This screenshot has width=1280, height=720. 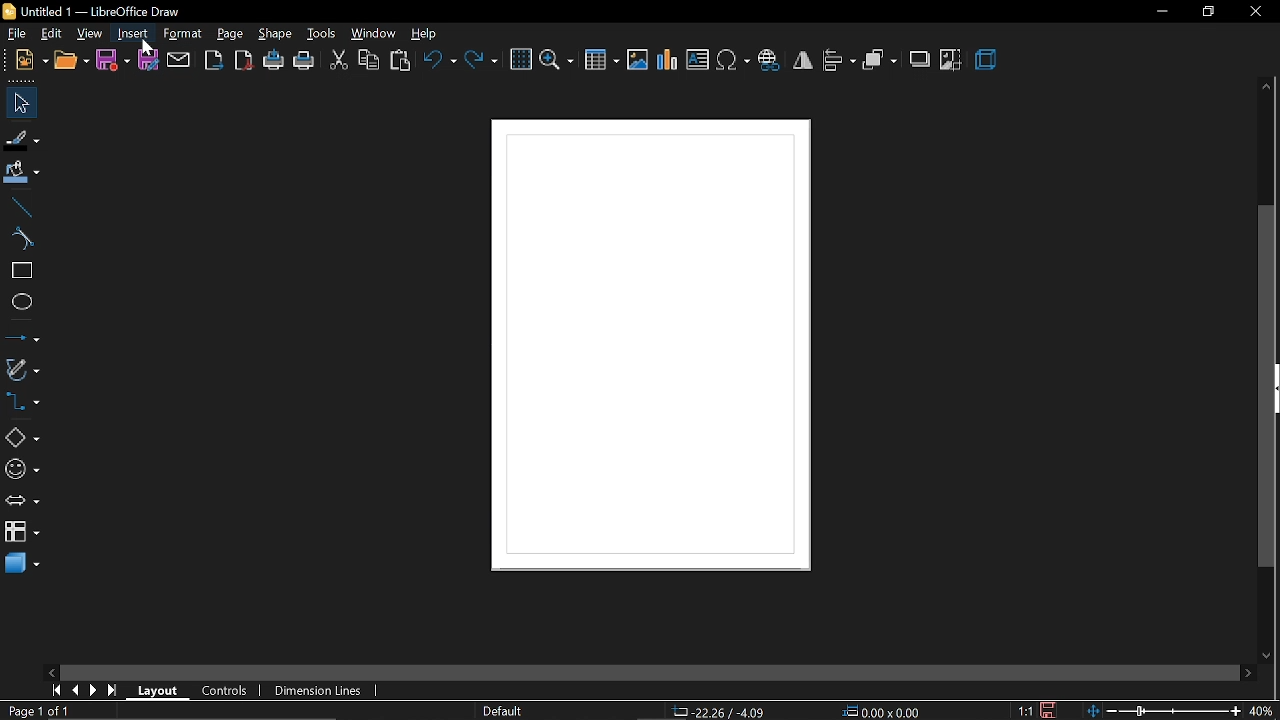 I want to click on shape, so click(x=275, y=35).